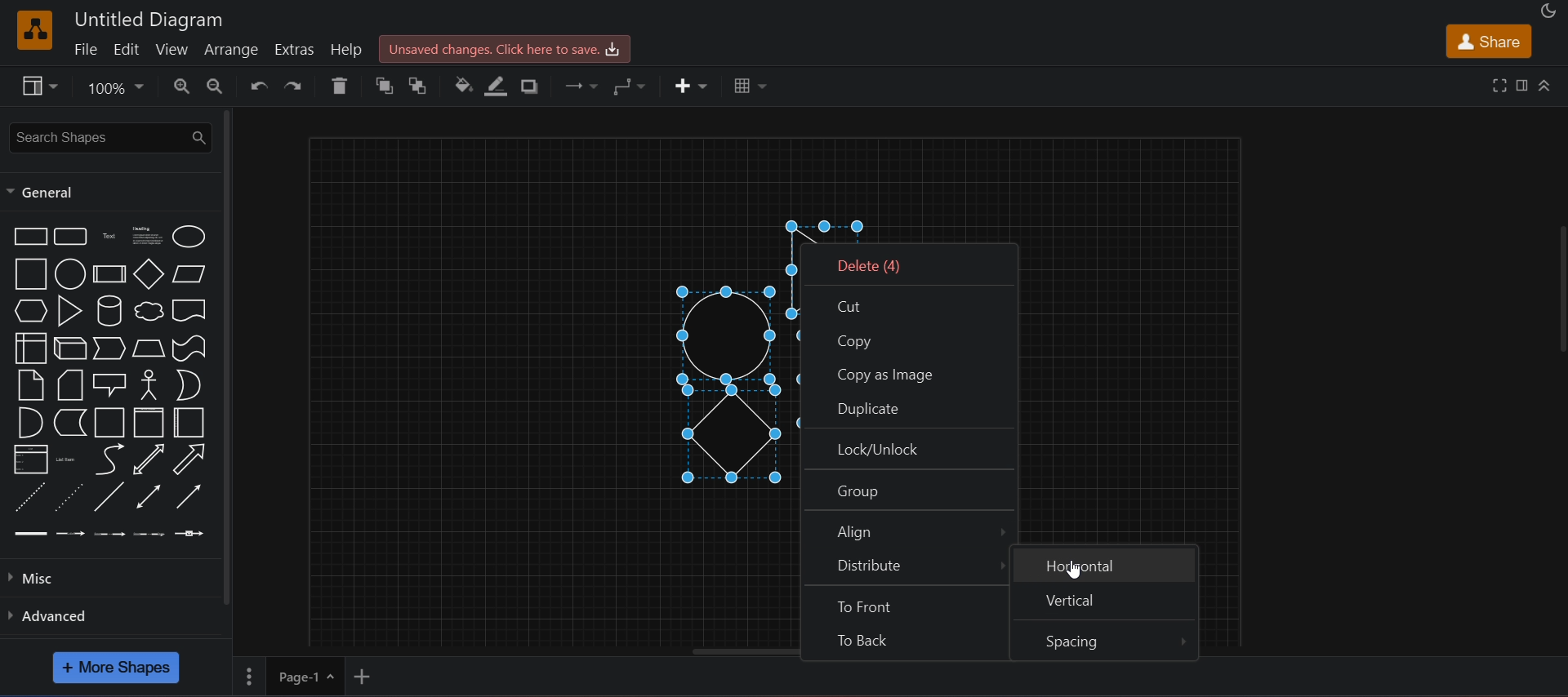 The width and height of the screenshot is (1568, 697). What do you see at coordinates (502, 48) in the screenshot?
I see `unsaved changes. click here to save` at bounding box center [502, 48].